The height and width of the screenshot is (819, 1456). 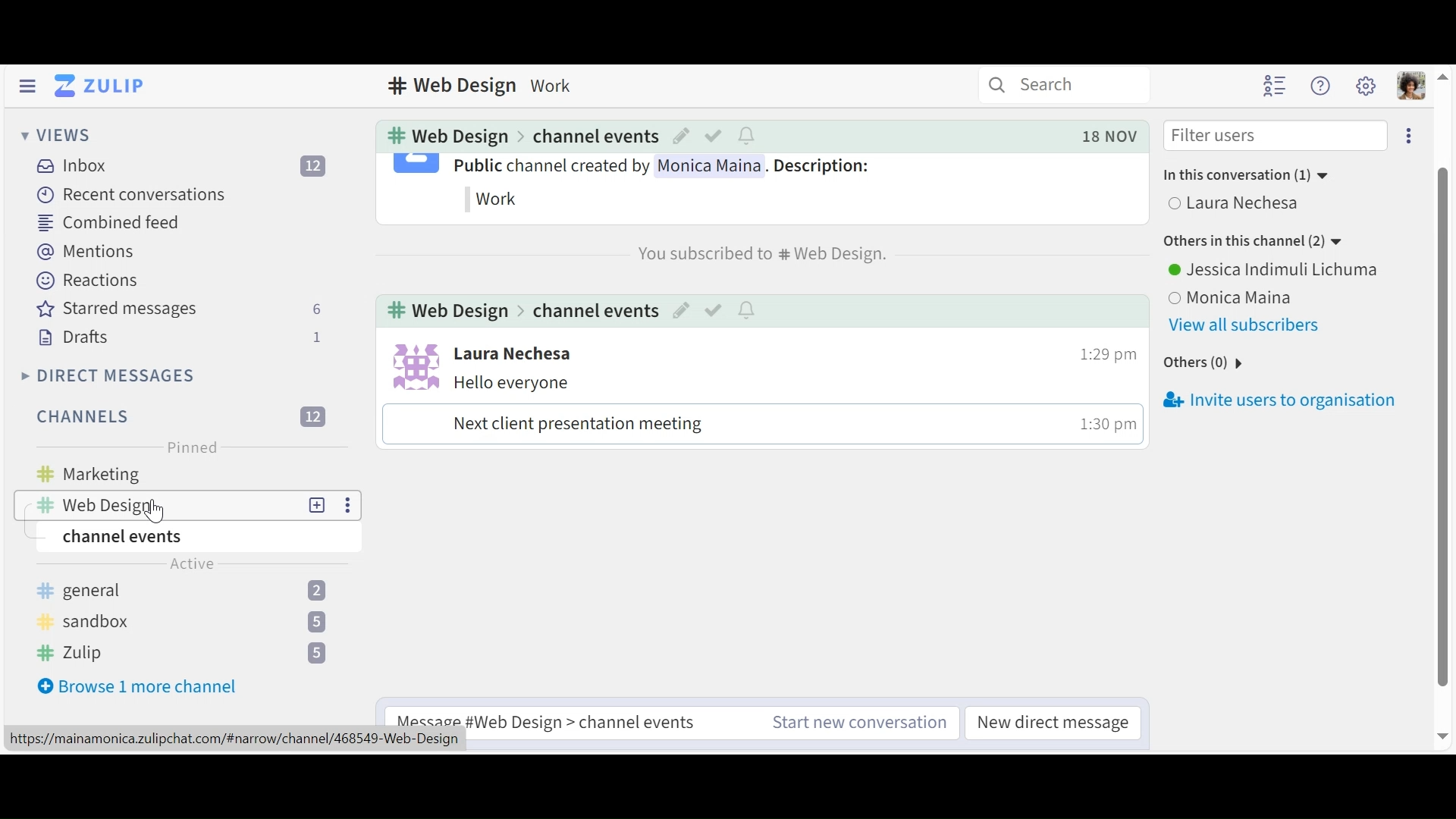 What do you see at coordinates (1411, 83) in the screenshot?
I see `Personal menu` at bounding box center [1411, 83].